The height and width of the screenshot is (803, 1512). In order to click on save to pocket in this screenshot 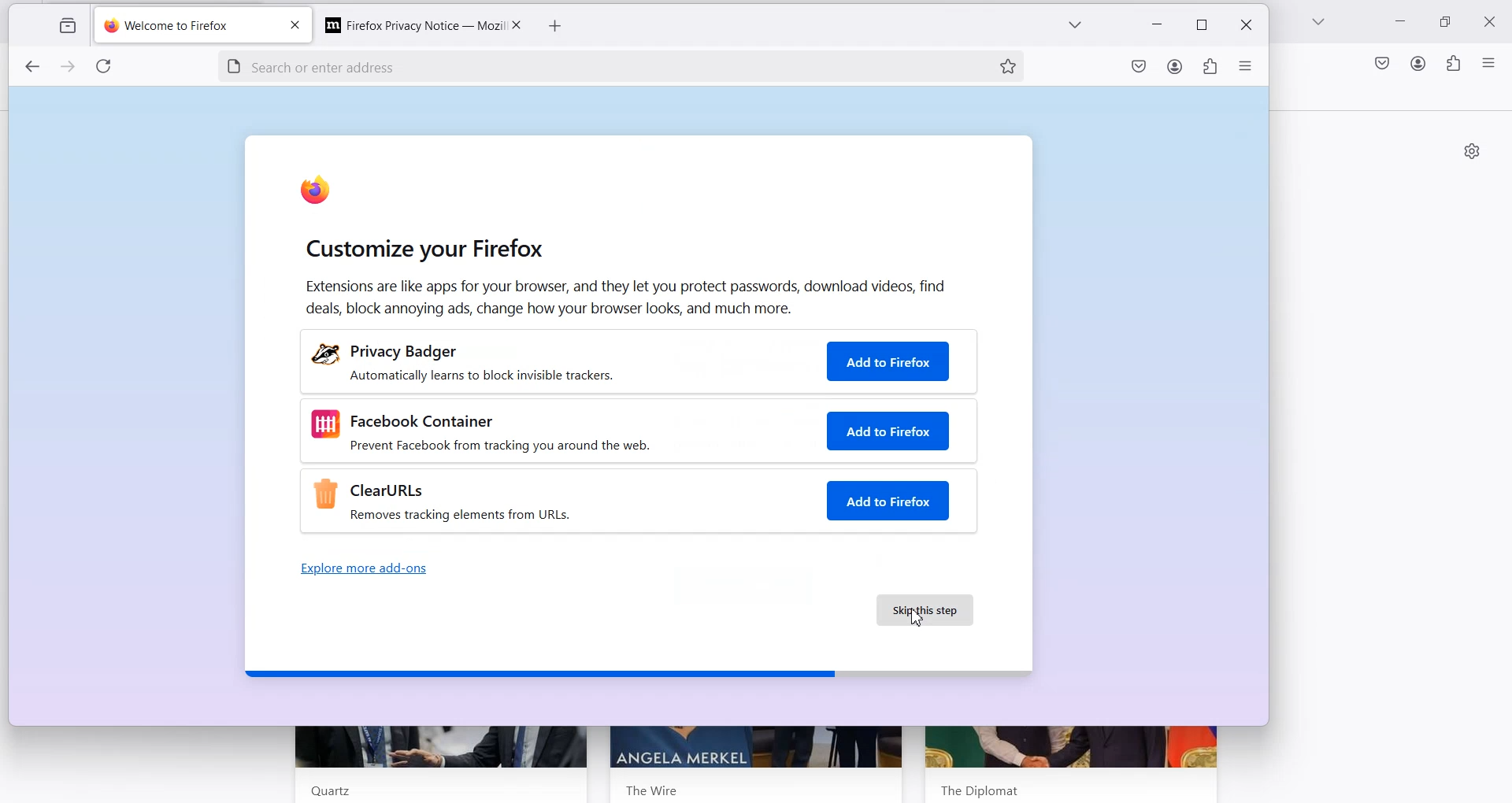, I will do `click(1139, 69)`.